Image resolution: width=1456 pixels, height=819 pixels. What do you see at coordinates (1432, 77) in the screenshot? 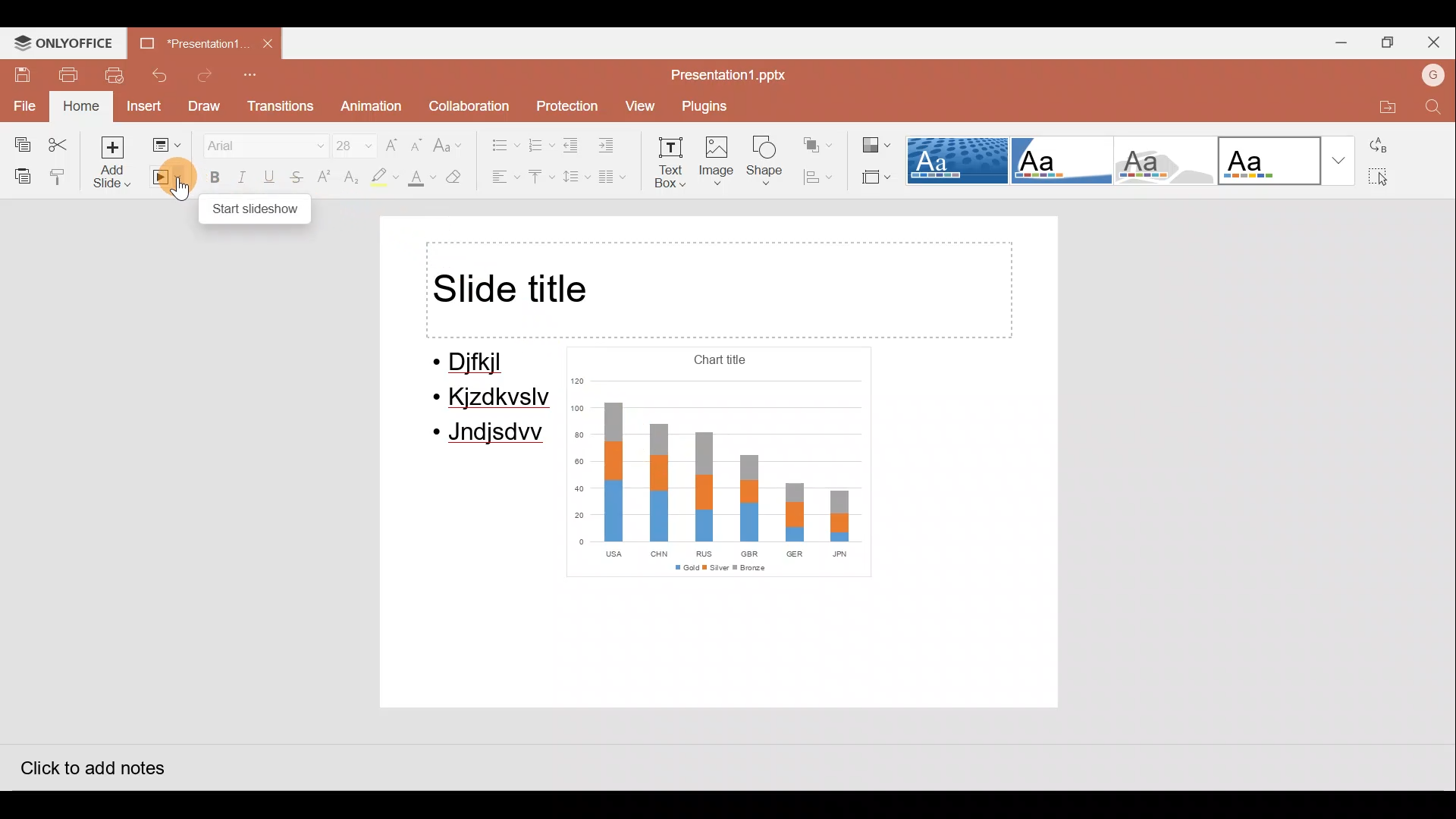
I see `Account name` at bounding box center [1432, 77].